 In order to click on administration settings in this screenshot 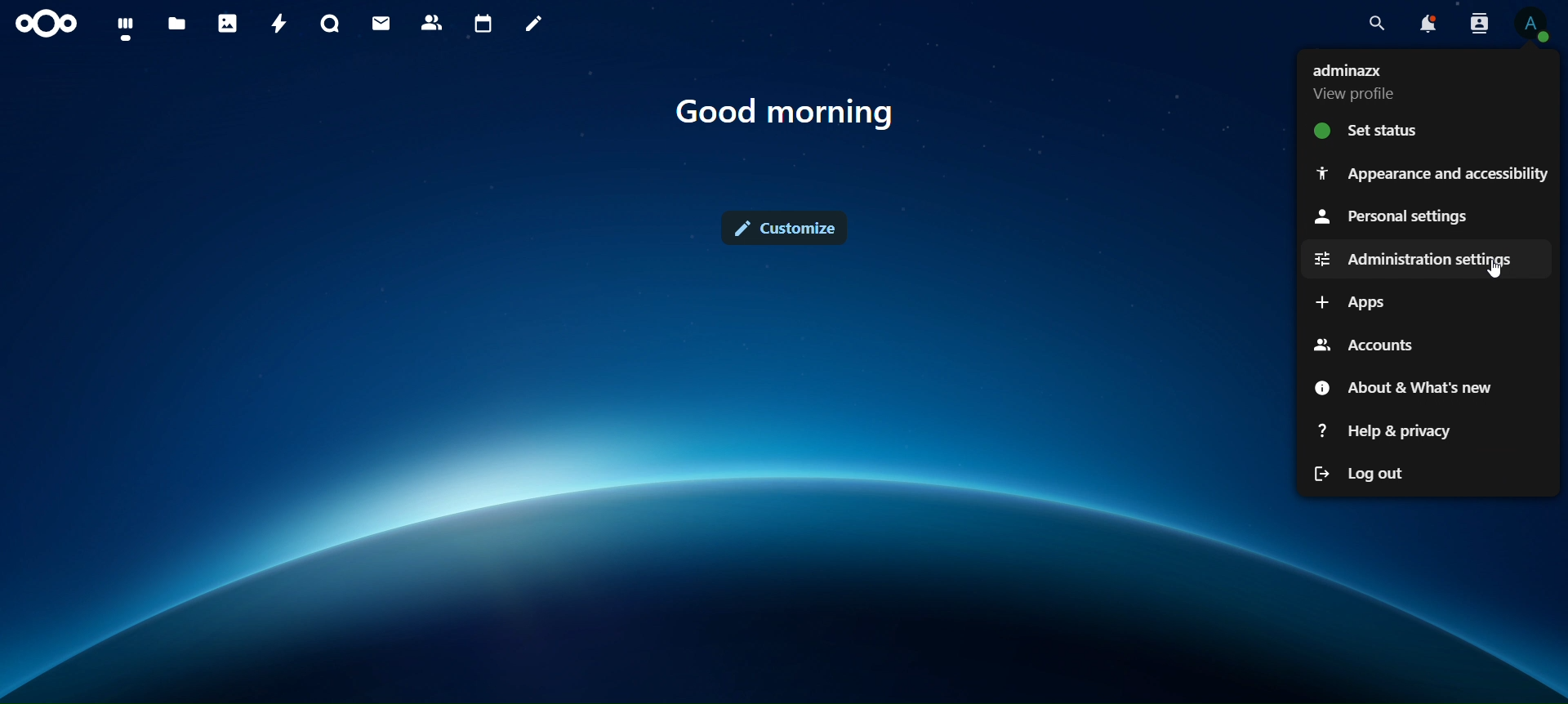, I will do `click(1410, 260)`.